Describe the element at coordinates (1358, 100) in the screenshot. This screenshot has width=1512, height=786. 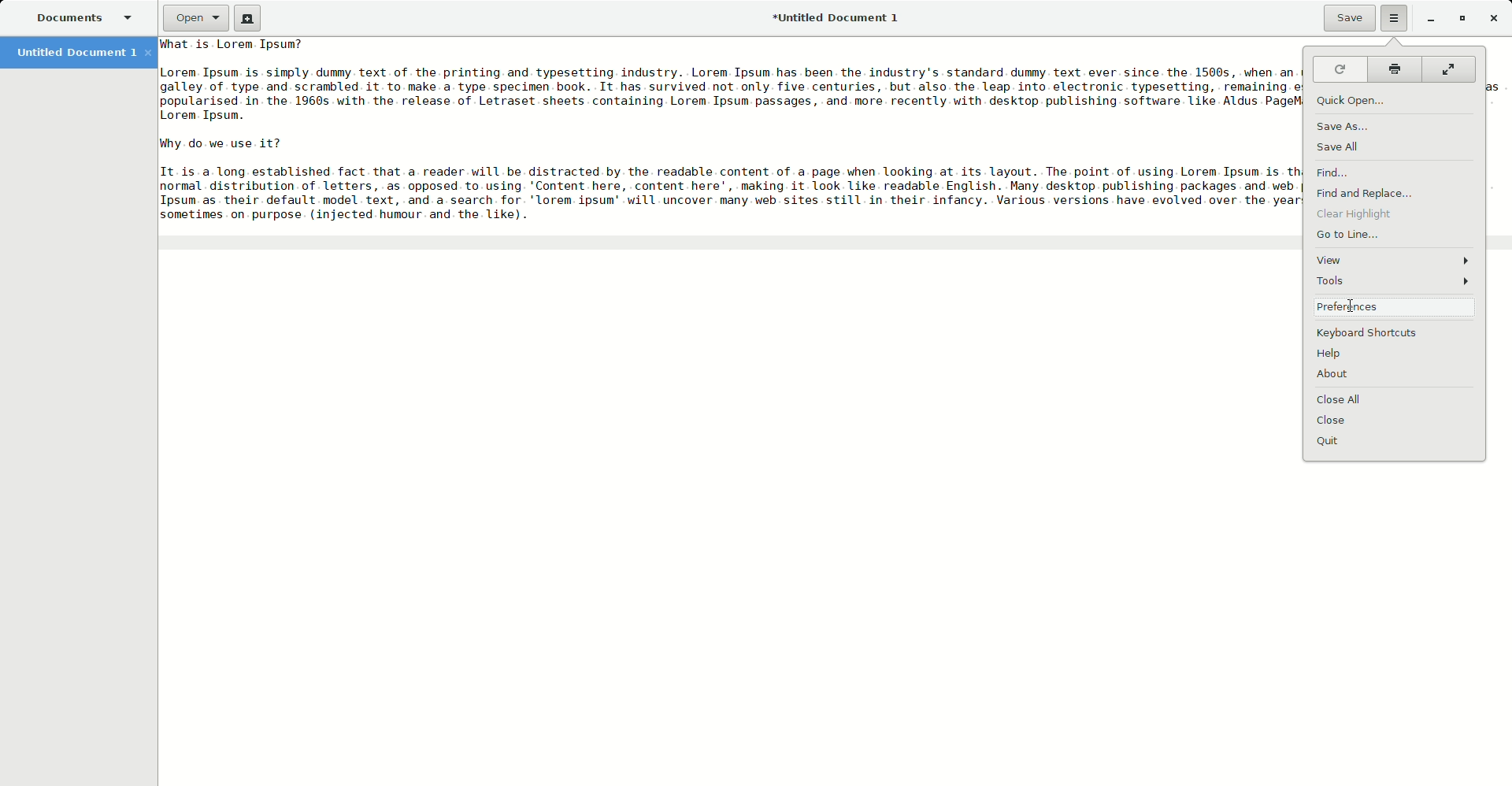
I see `Quick Open` at that location.